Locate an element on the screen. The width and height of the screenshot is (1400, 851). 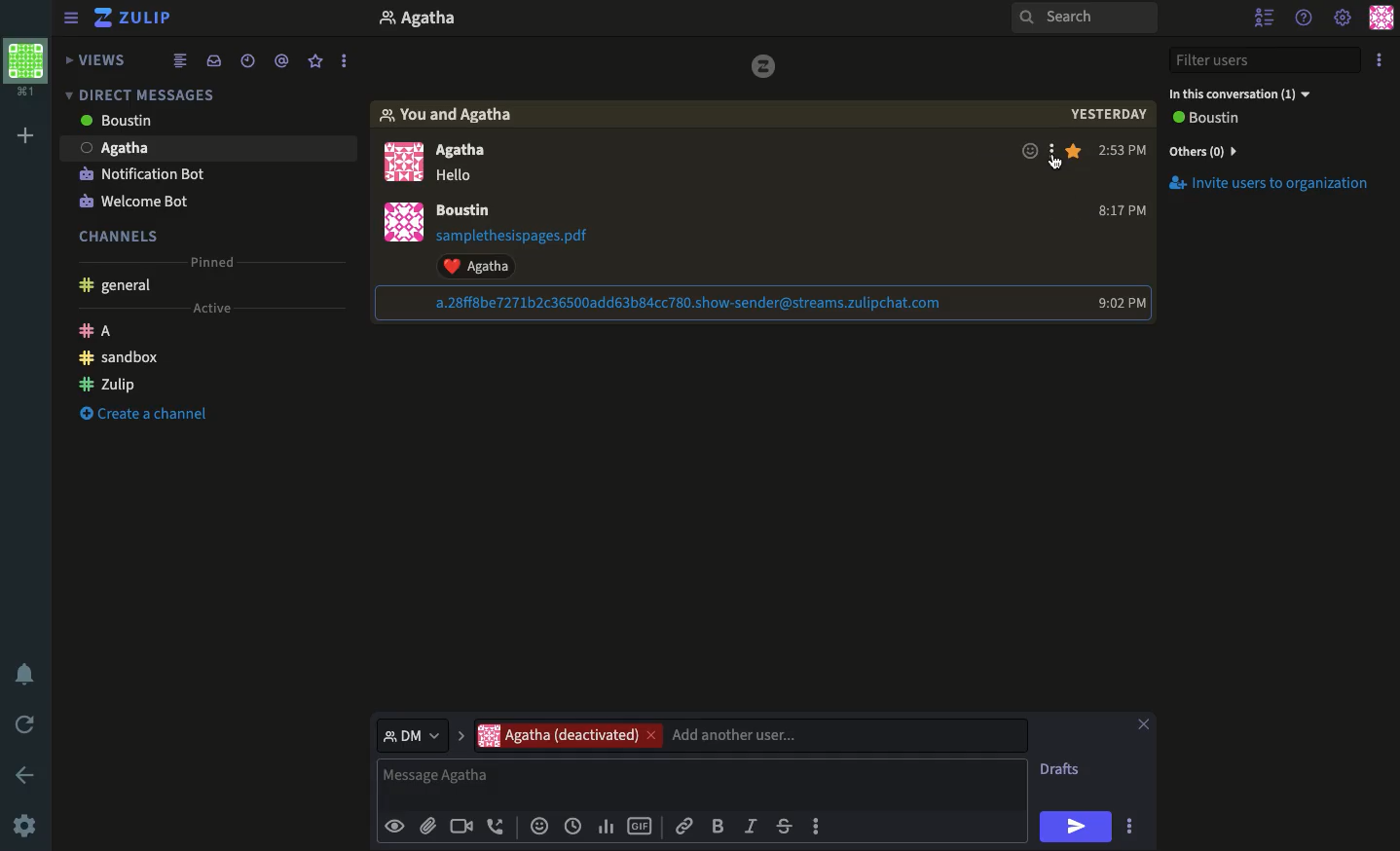
Users is located at coordinates (148, 123).